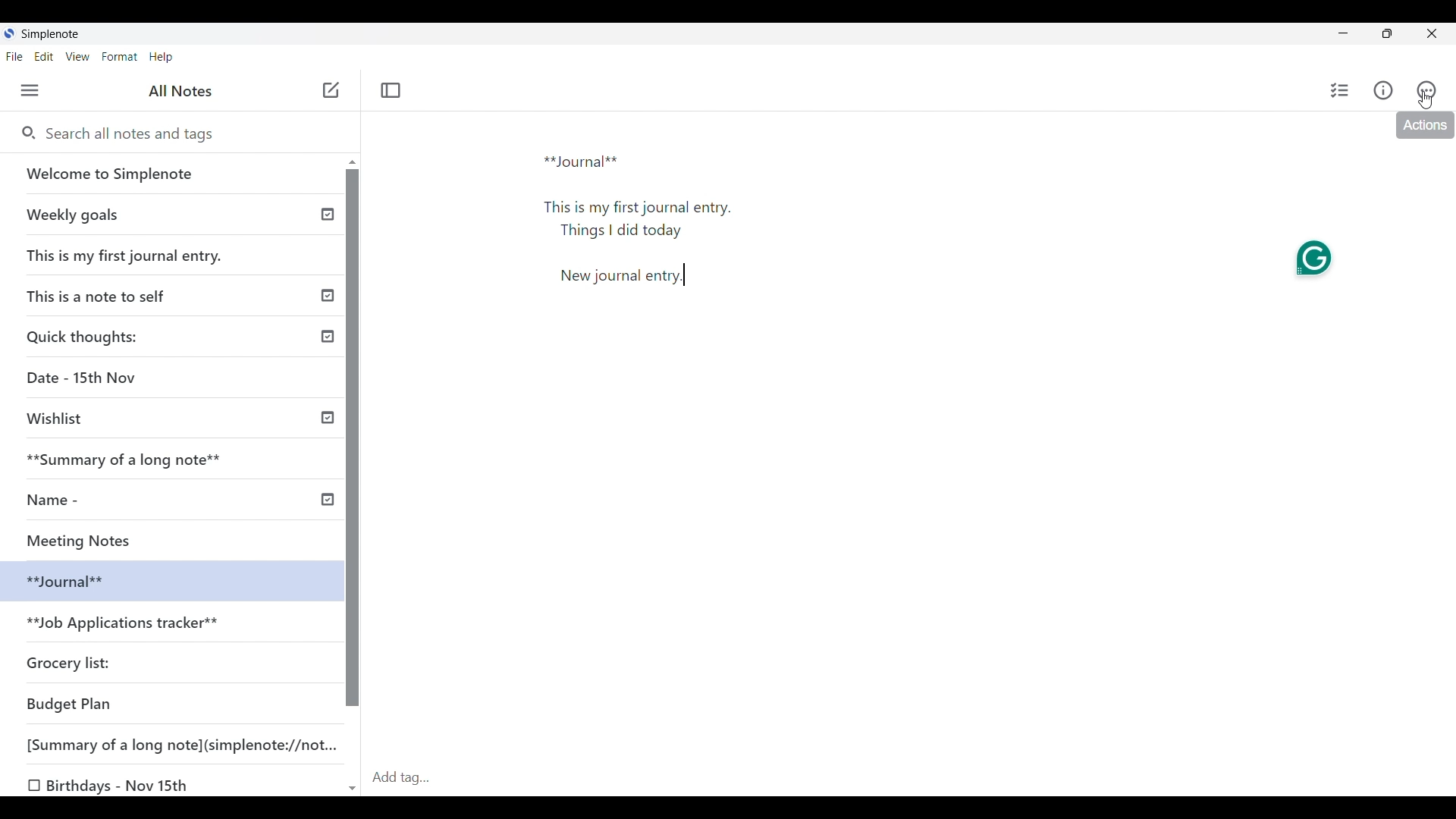 Image resolution: width=1456 pixels, height=819 pixels. I want to click on Minimize, so click(1343, 33).